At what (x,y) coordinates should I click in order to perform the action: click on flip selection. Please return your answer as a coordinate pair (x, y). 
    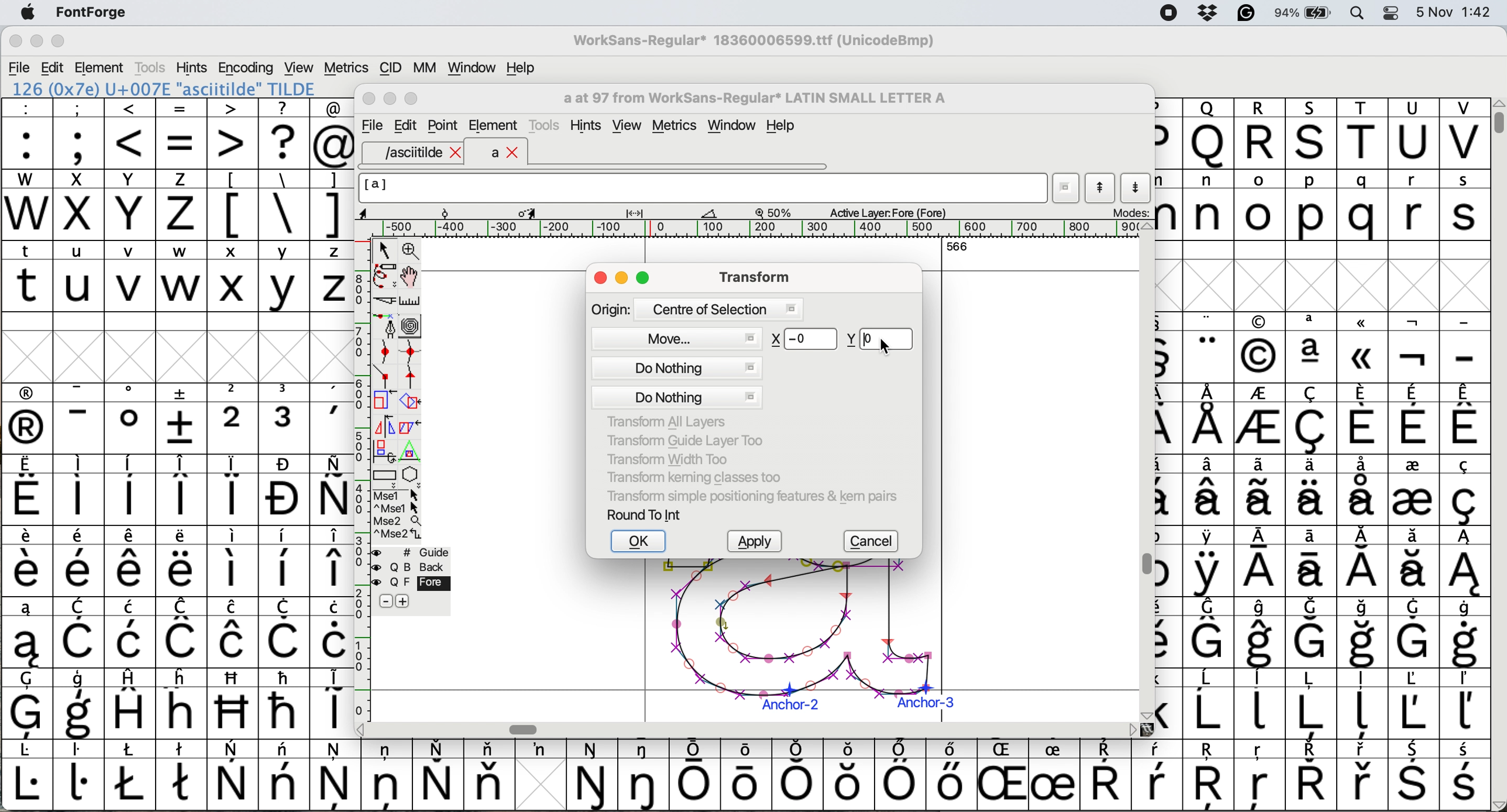
    Looking at the image, I should click on (384, 425).